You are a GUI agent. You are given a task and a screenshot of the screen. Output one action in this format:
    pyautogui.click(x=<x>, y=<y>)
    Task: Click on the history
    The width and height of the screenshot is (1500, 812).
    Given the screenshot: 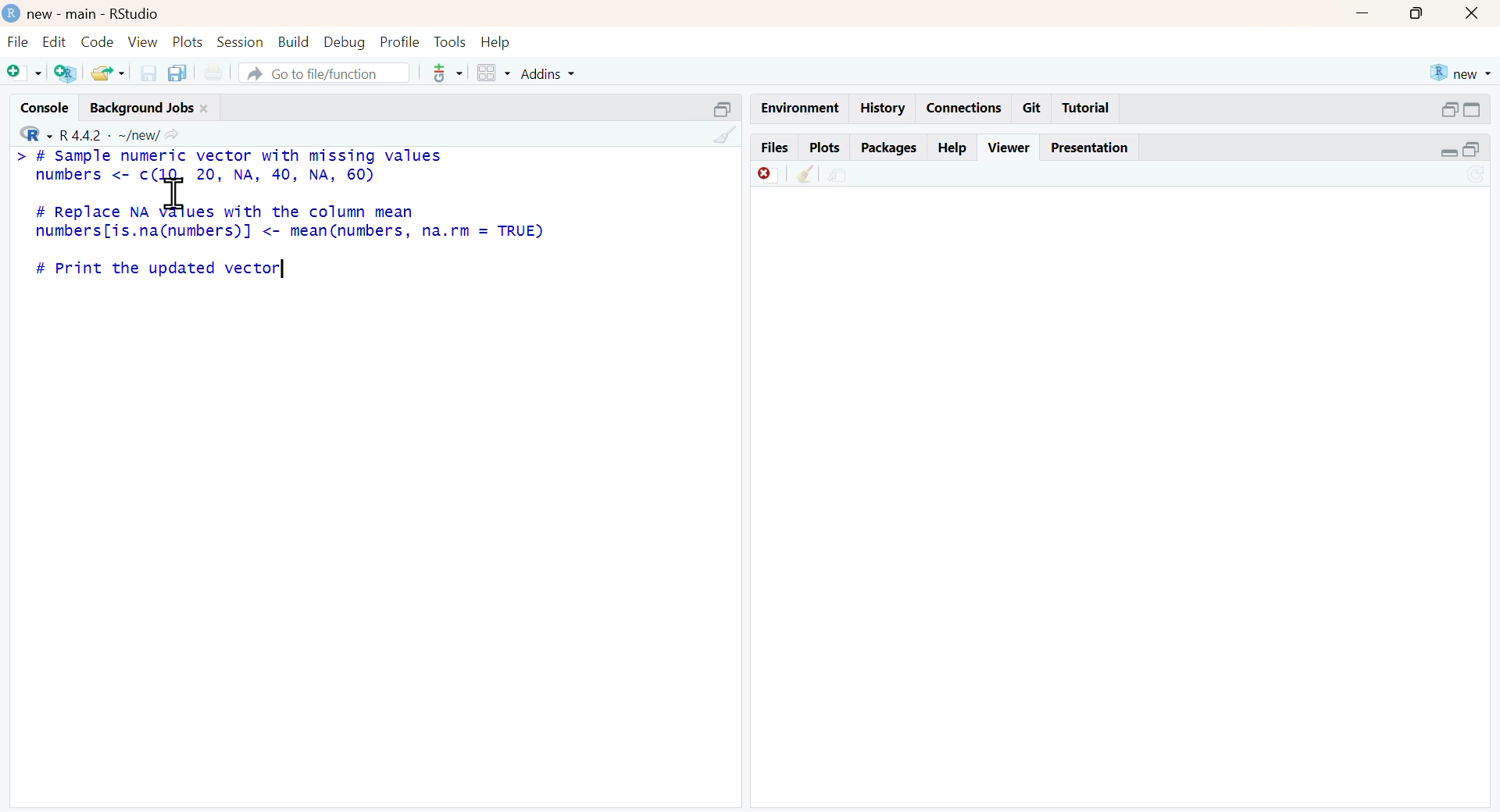 What is the action you would take?
    pyautogui.click(x=884, y=109)
    